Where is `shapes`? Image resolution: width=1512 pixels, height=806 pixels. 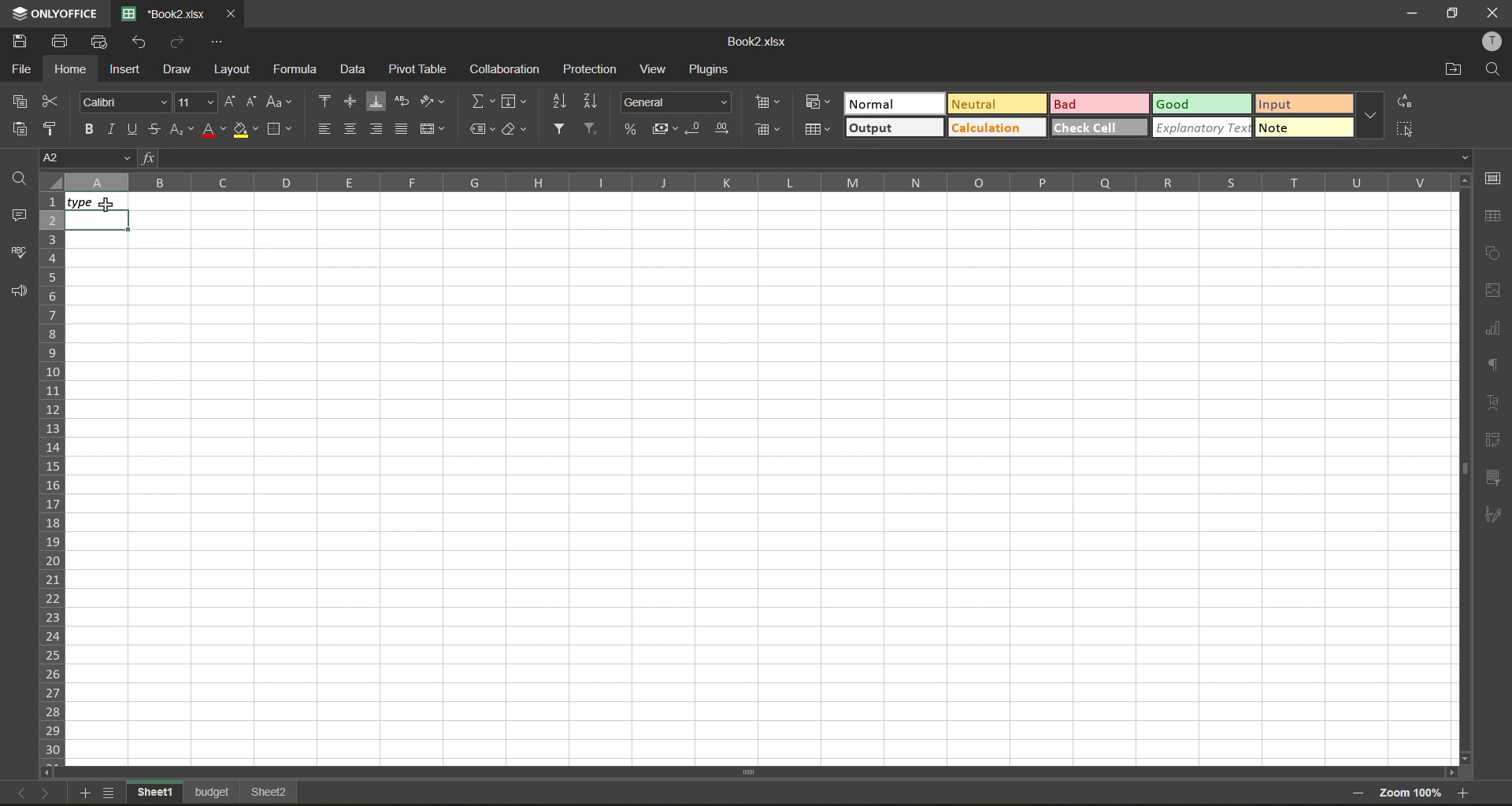 shapes is located at coordinates (1493, 255).